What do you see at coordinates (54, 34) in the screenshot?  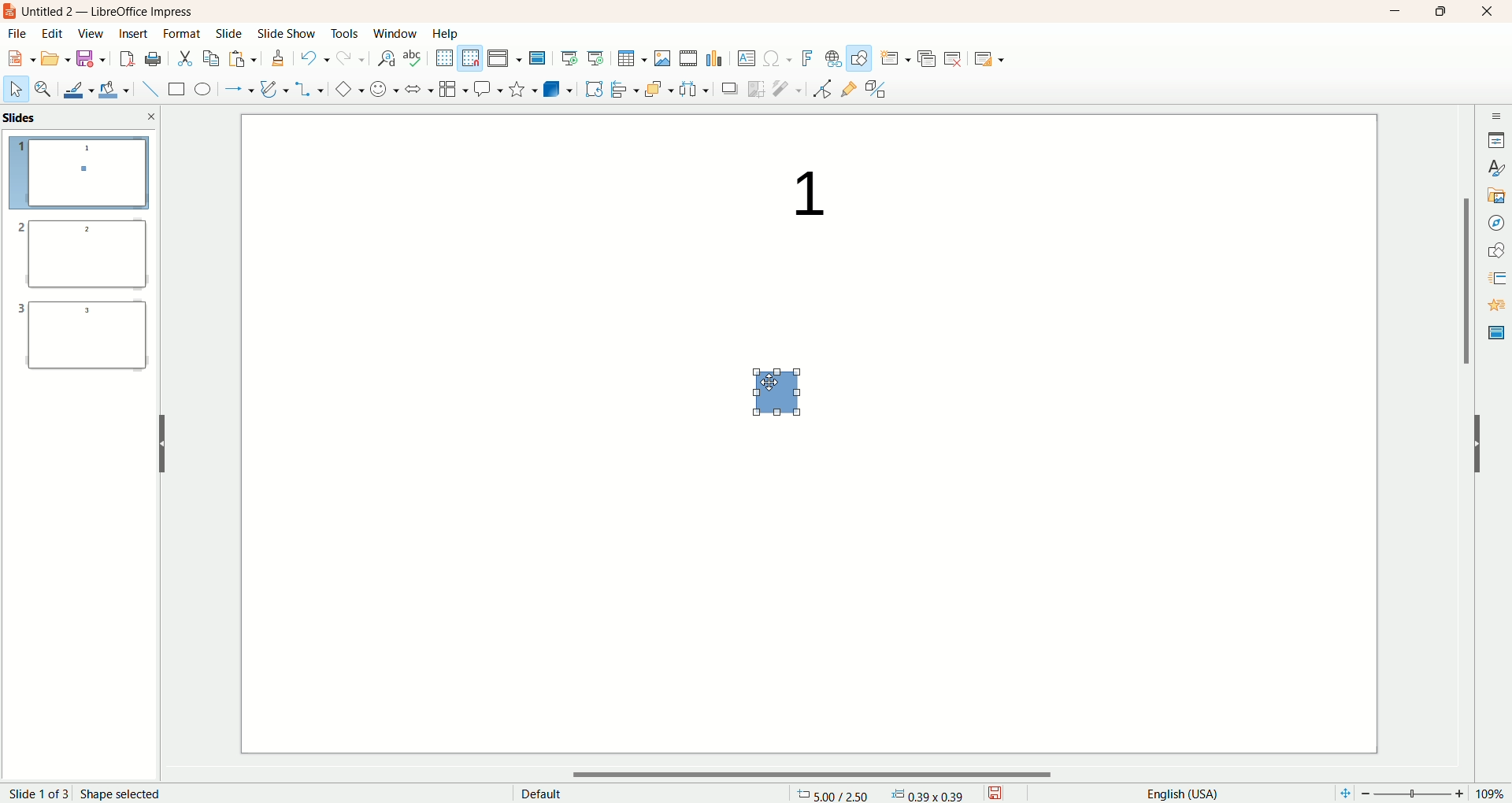 I see `edit` at bounding box center [54, 34].